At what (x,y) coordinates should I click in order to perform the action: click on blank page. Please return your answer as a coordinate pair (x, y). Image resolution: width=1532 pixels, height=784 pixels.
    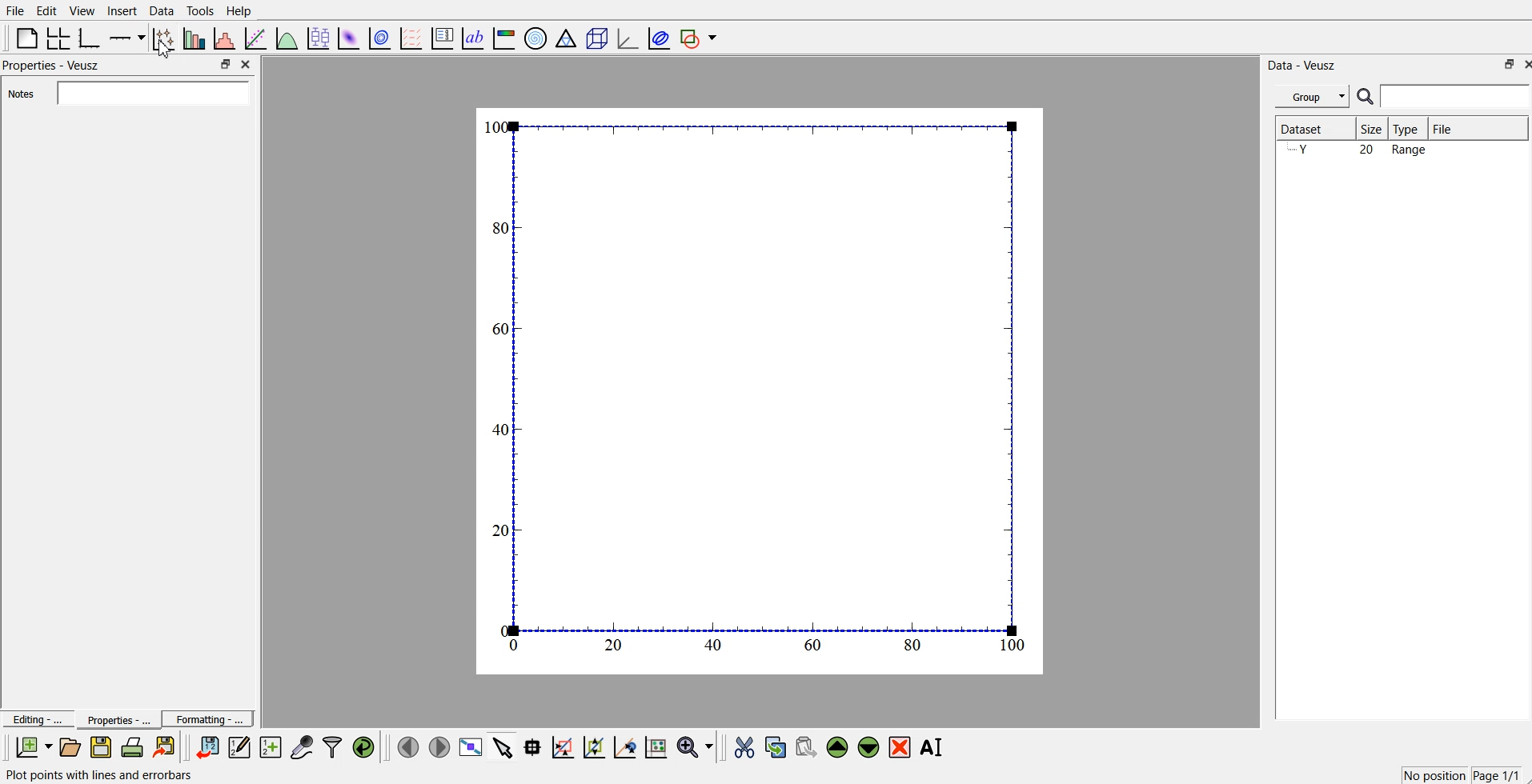
    Looking at the image, I should click on (26, 38).